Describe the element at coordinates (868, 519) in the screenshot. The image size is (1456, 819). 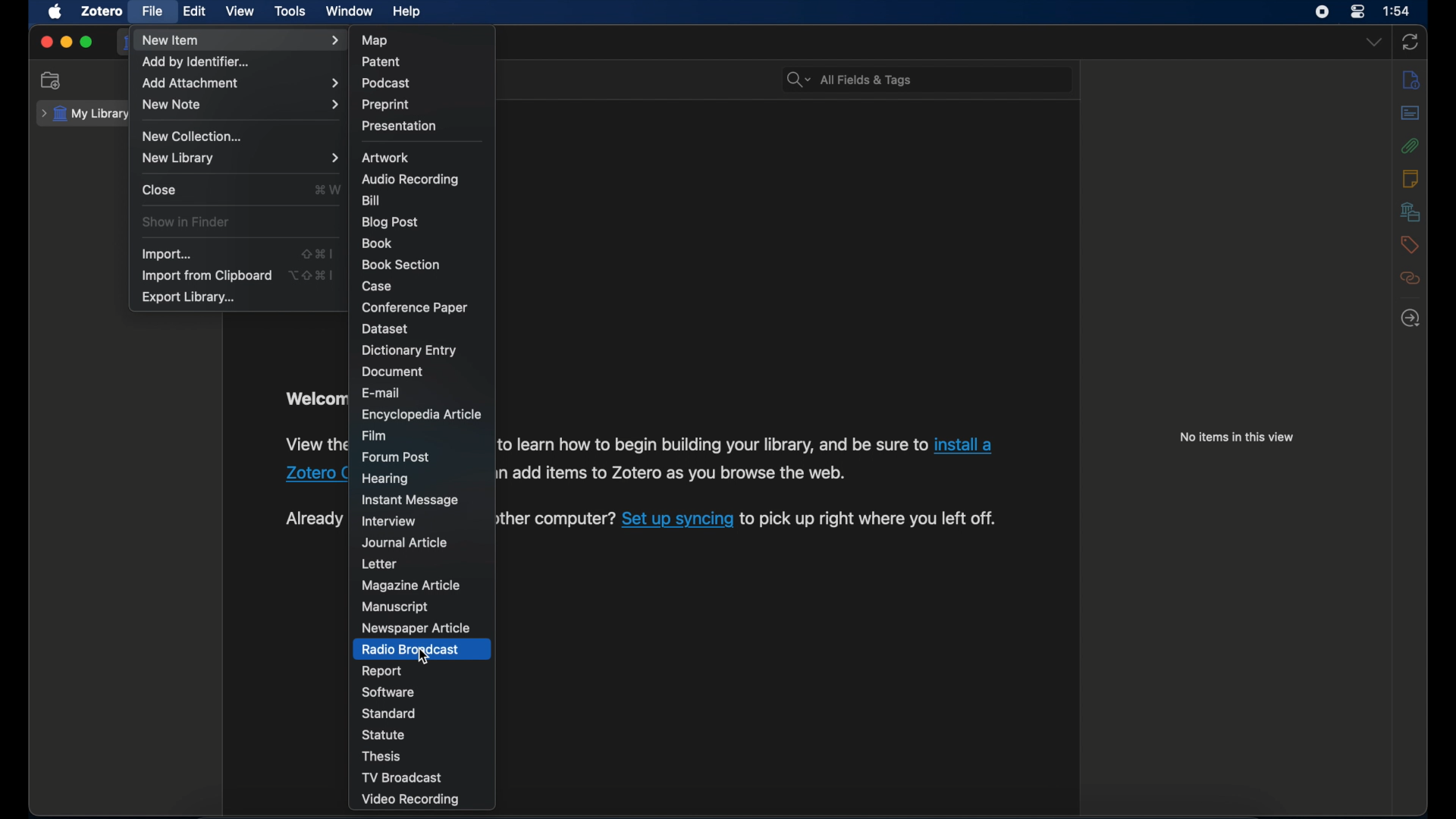
I see `to pick up right where you left off.` at that location.